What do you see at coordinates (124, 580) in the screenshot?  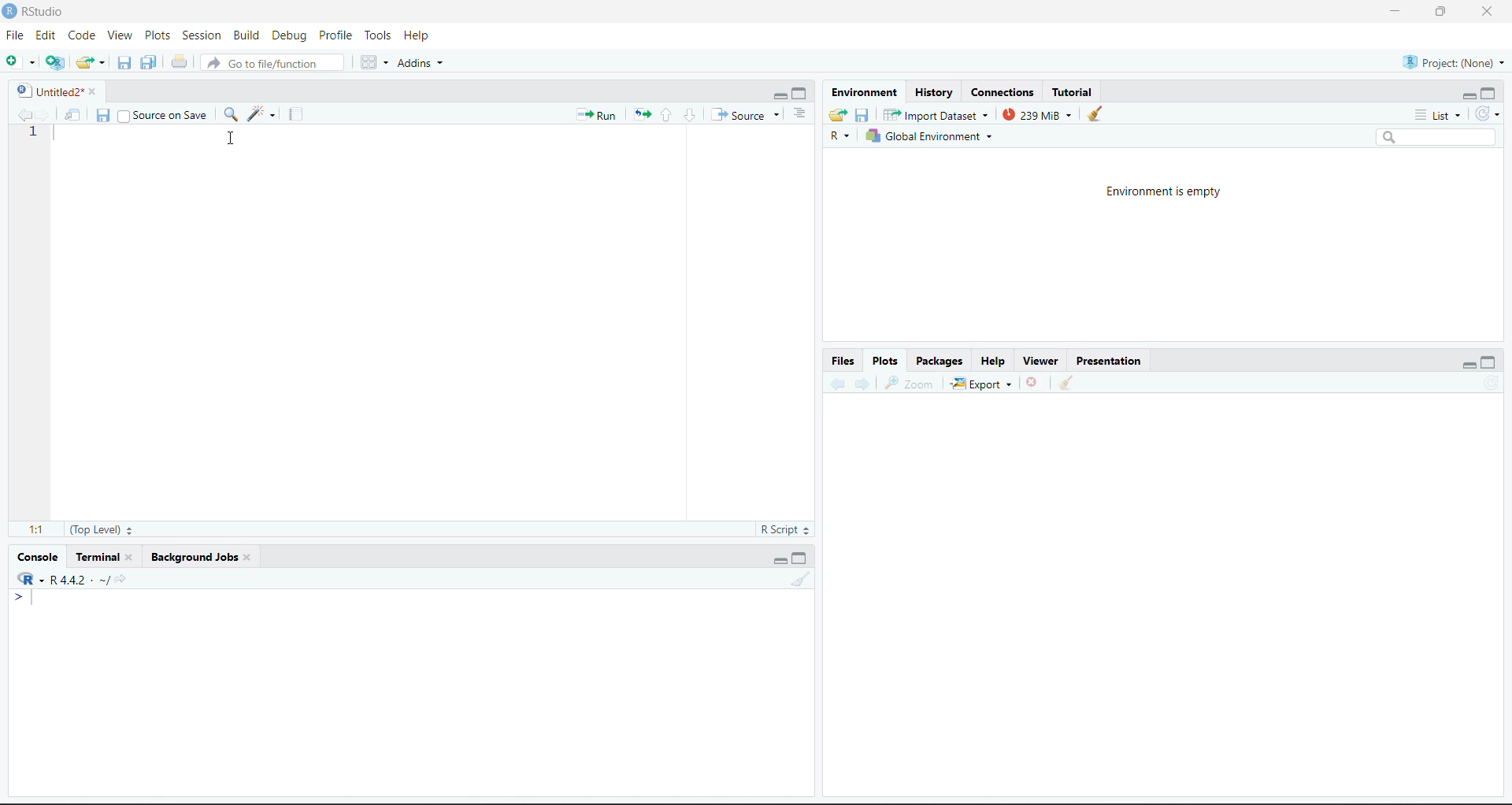 I see `View the current working directory` at bounding box center [124, 580].